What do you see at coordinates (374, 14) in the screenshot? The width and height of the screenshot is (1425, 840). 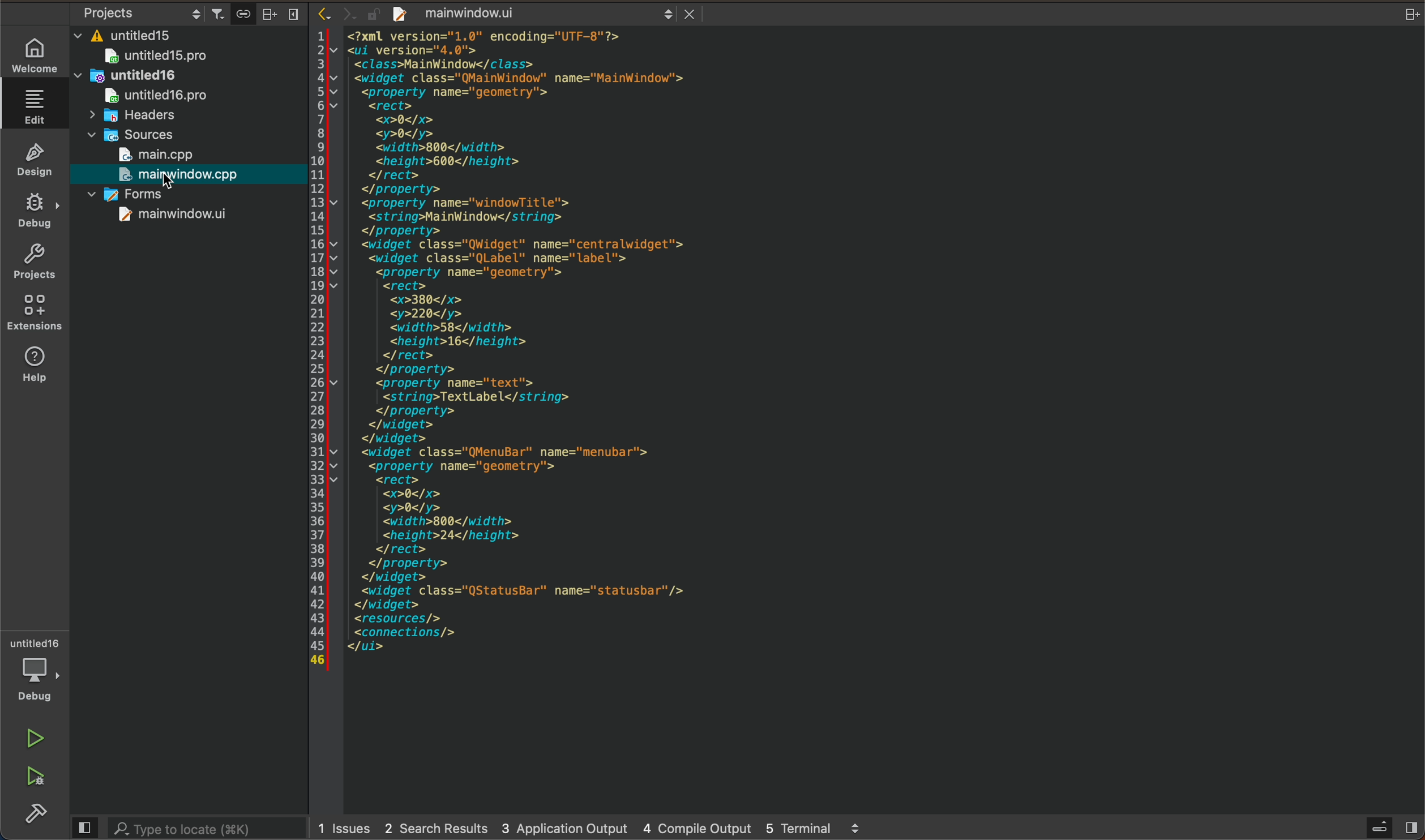 I see `lock/unlock` at bounding box center [374, 14].